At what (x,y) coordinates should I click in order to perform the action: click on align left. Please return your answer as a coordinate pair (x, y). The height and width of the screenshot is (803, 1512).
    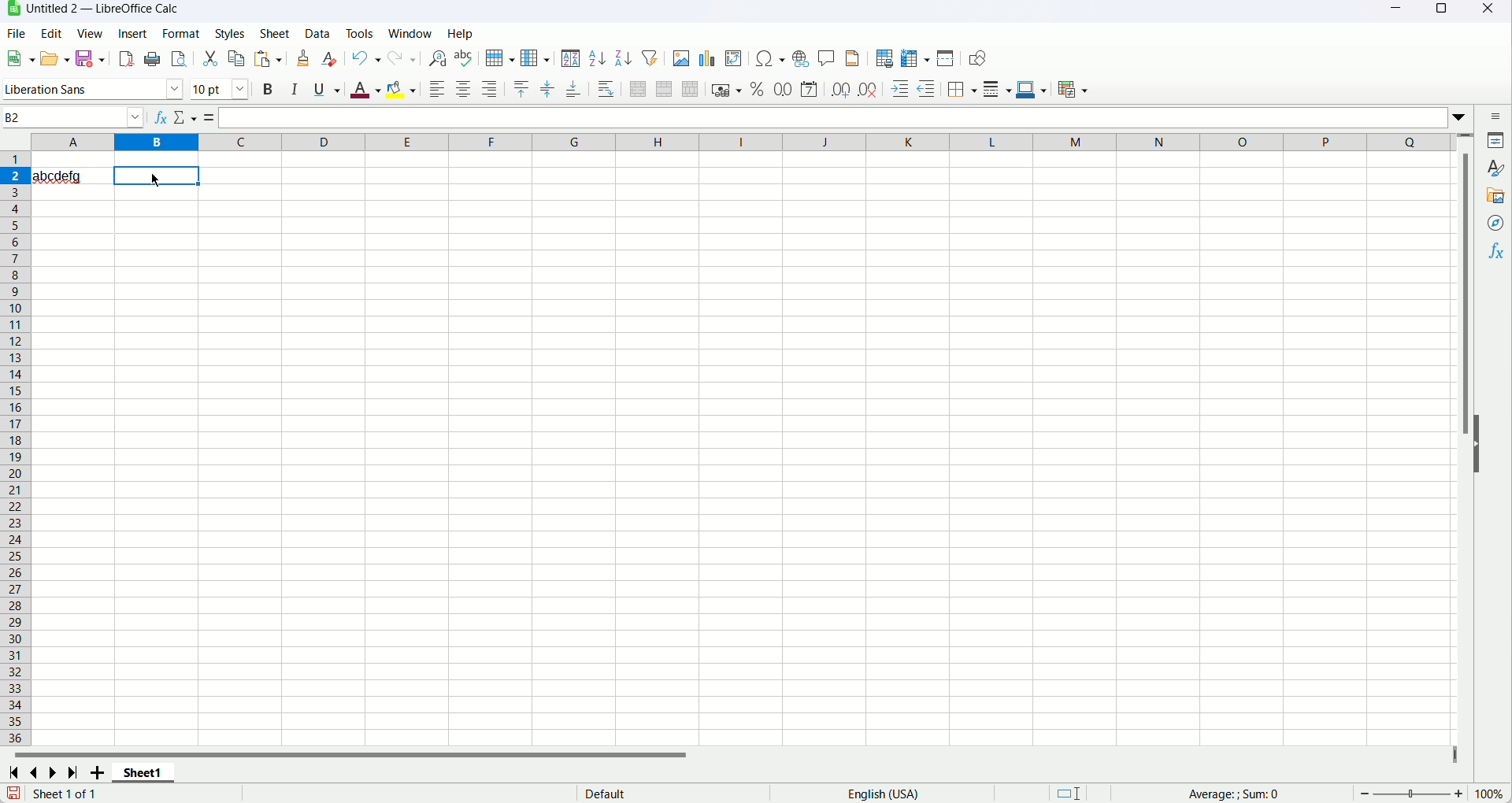
    Looking at the image, I should click on (439, 89).